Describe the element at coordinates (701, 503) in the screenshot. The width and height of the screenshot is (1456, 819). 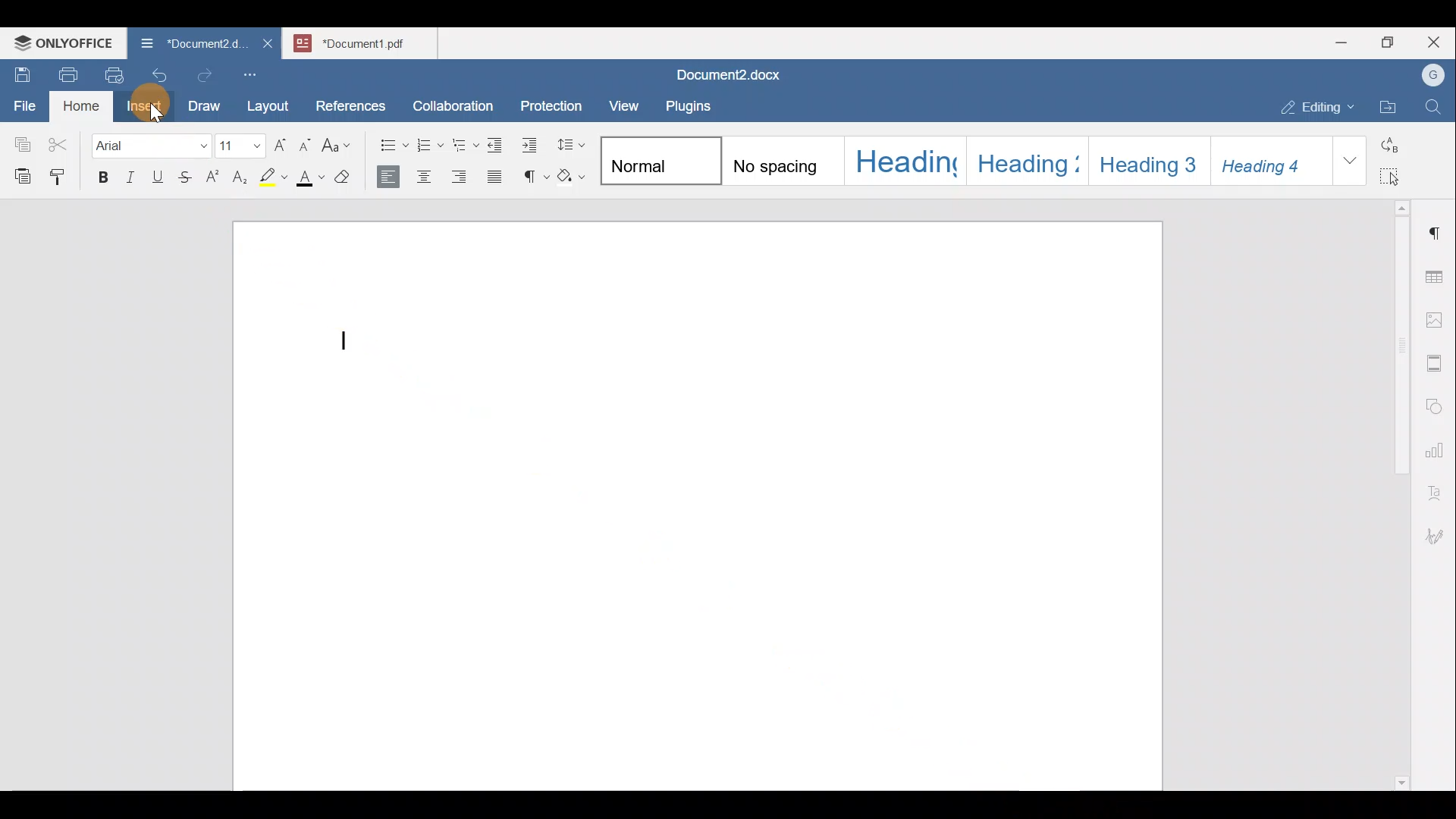
I see `Working area` at that location.